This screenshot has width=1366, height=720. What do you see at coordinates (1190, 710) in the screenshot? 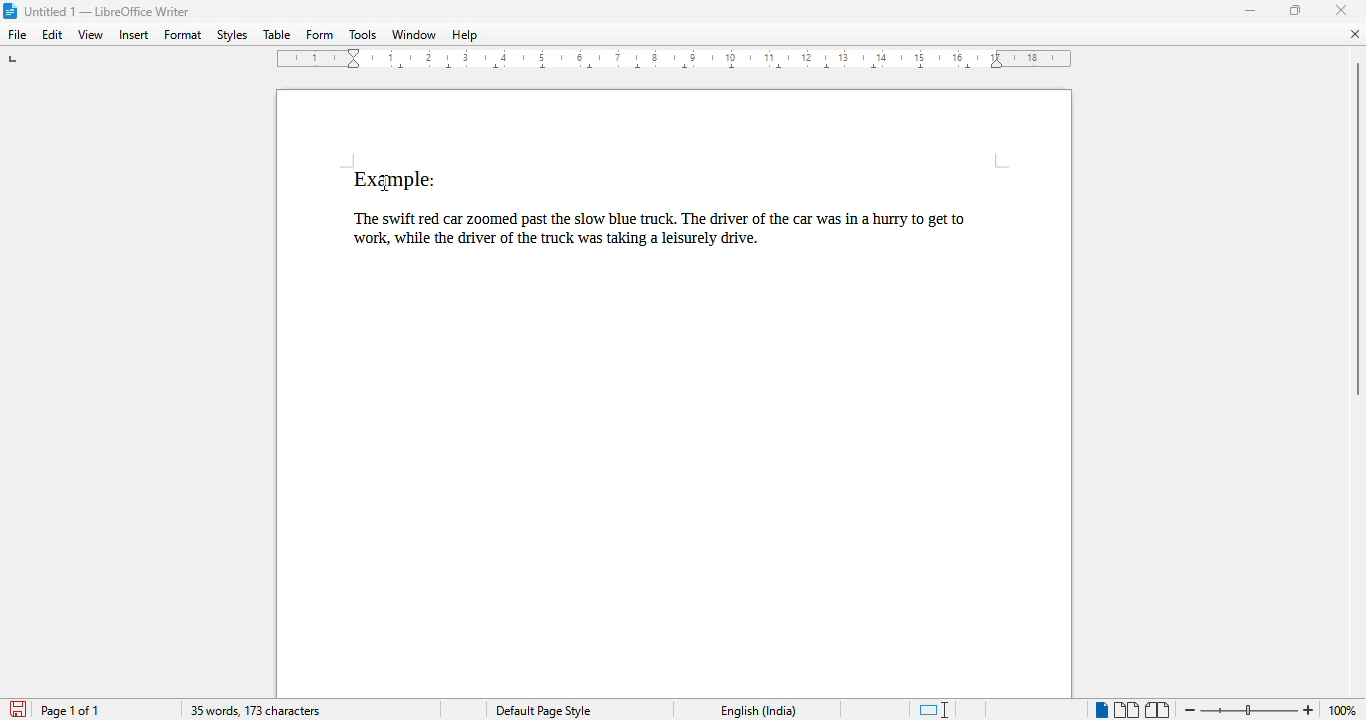
I see `zoom out` at bounding box center [1190, 710].